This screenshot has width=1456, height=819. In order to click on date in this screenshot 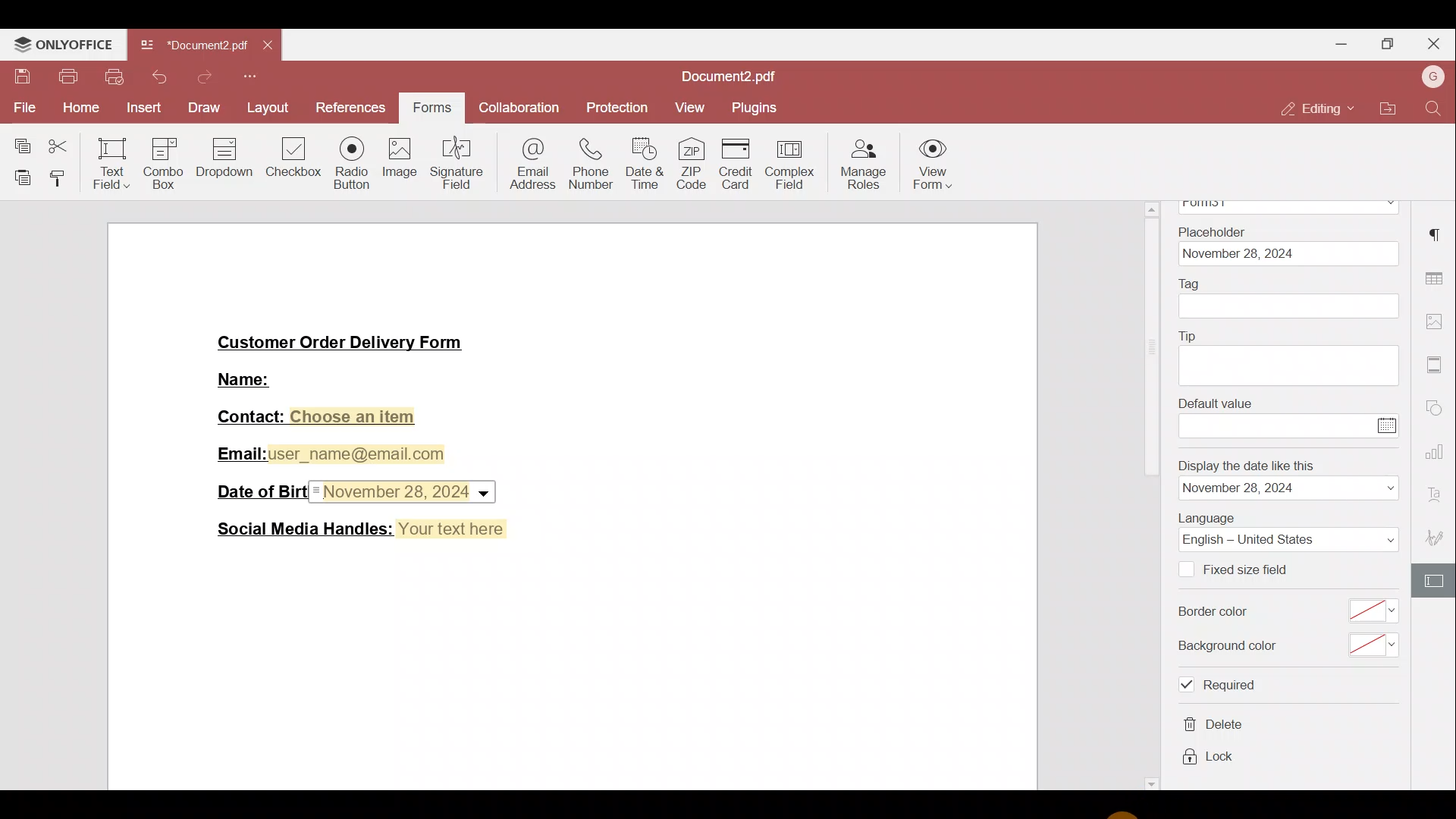, I will do `click(1288, 253)`.